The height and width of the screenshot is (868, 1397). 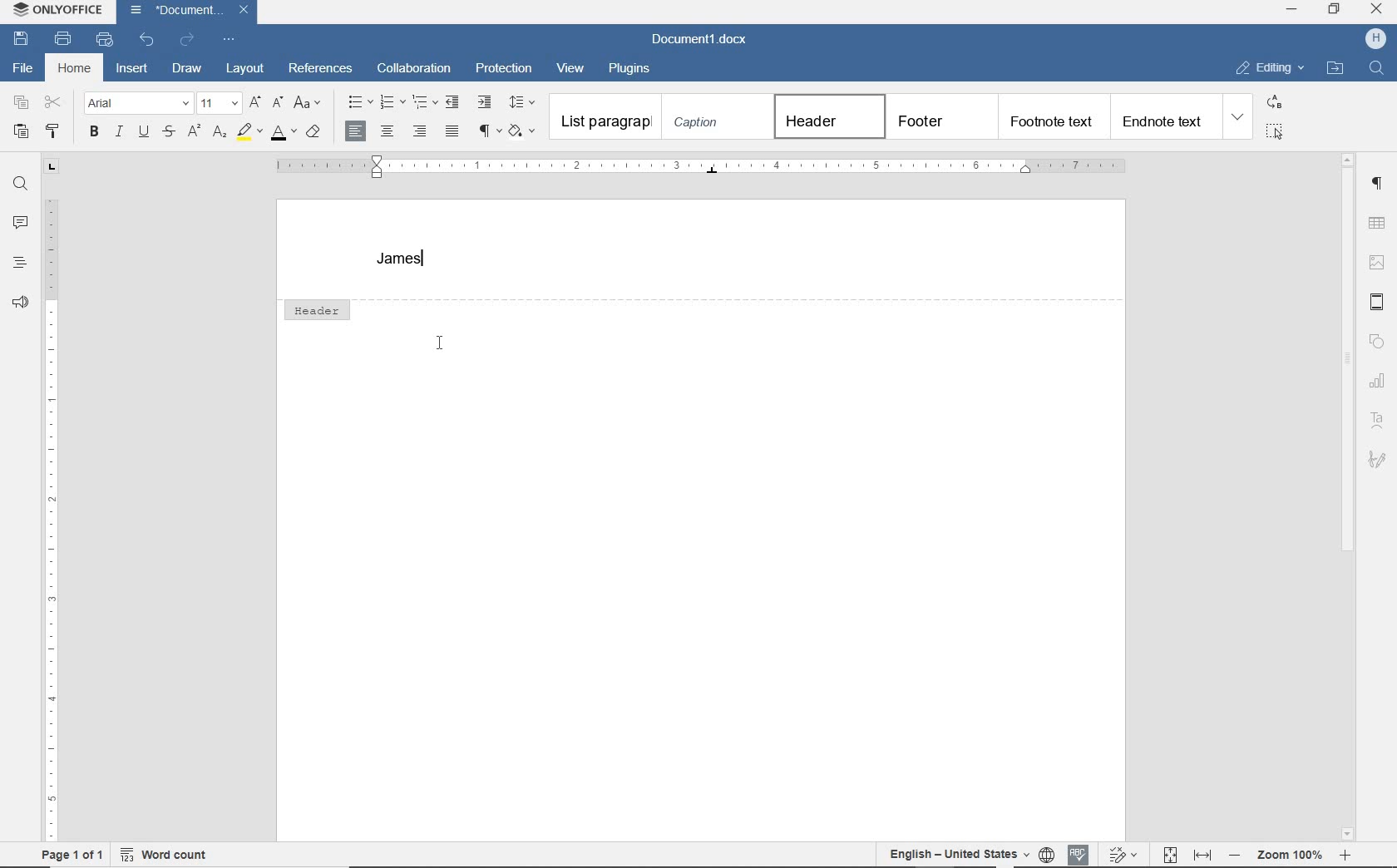 What do you see at coordinates (49, 501) in the screenshot?
I see `ruler` at bounding box center [49, 501].